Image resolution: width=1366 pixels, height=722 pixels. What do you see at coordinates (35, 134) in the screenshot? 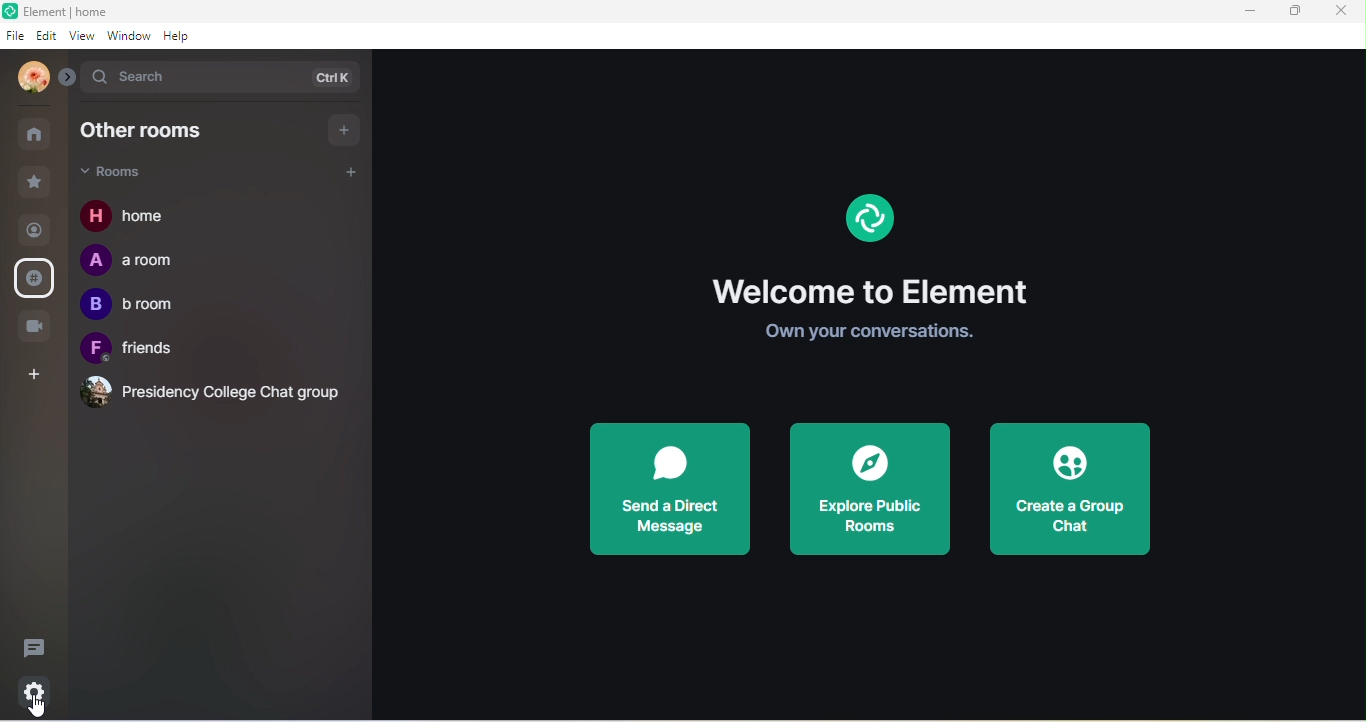
I see `all rooms` at bounding box center [35, 134].